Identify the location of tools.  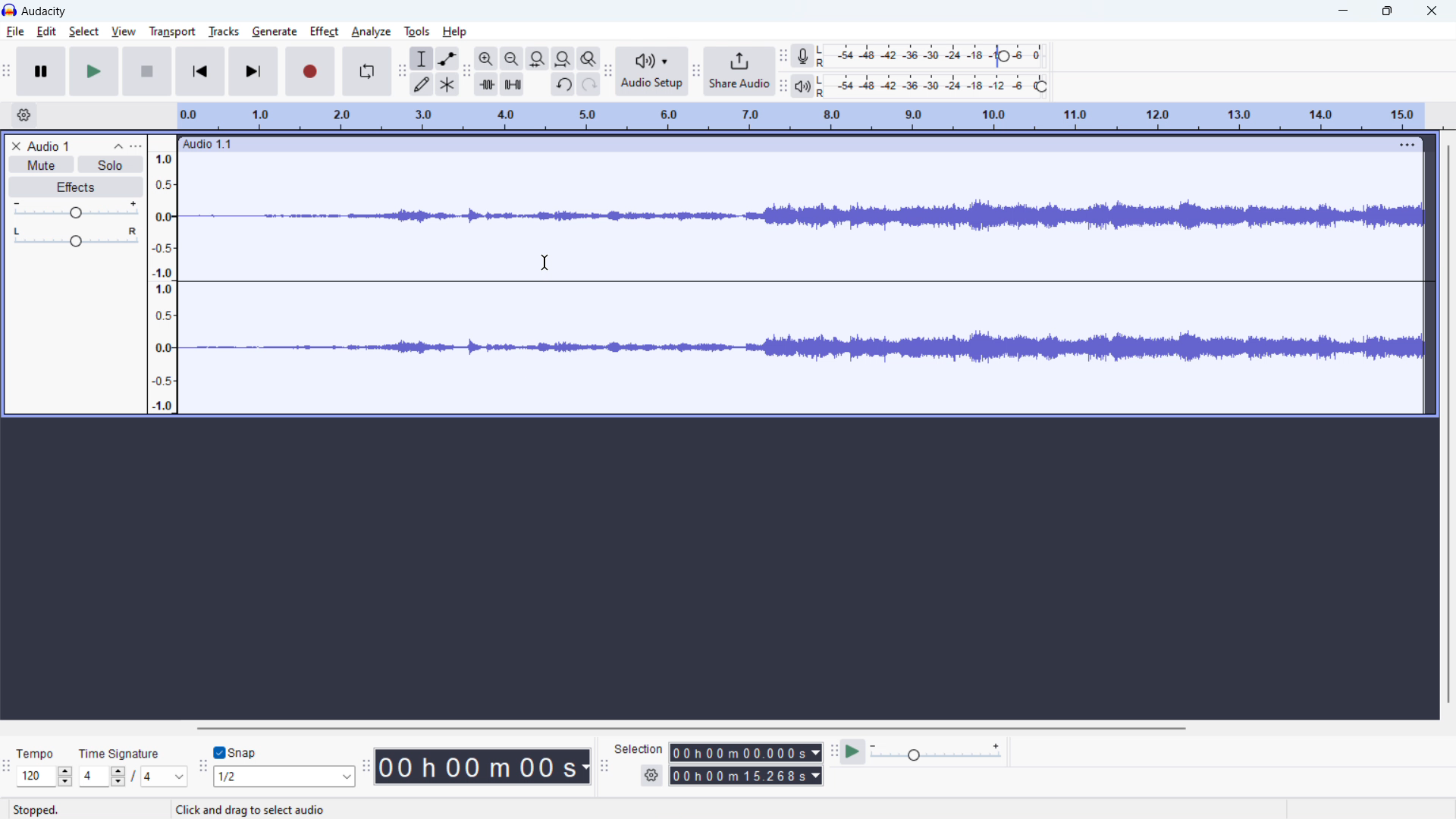
(417, 32).